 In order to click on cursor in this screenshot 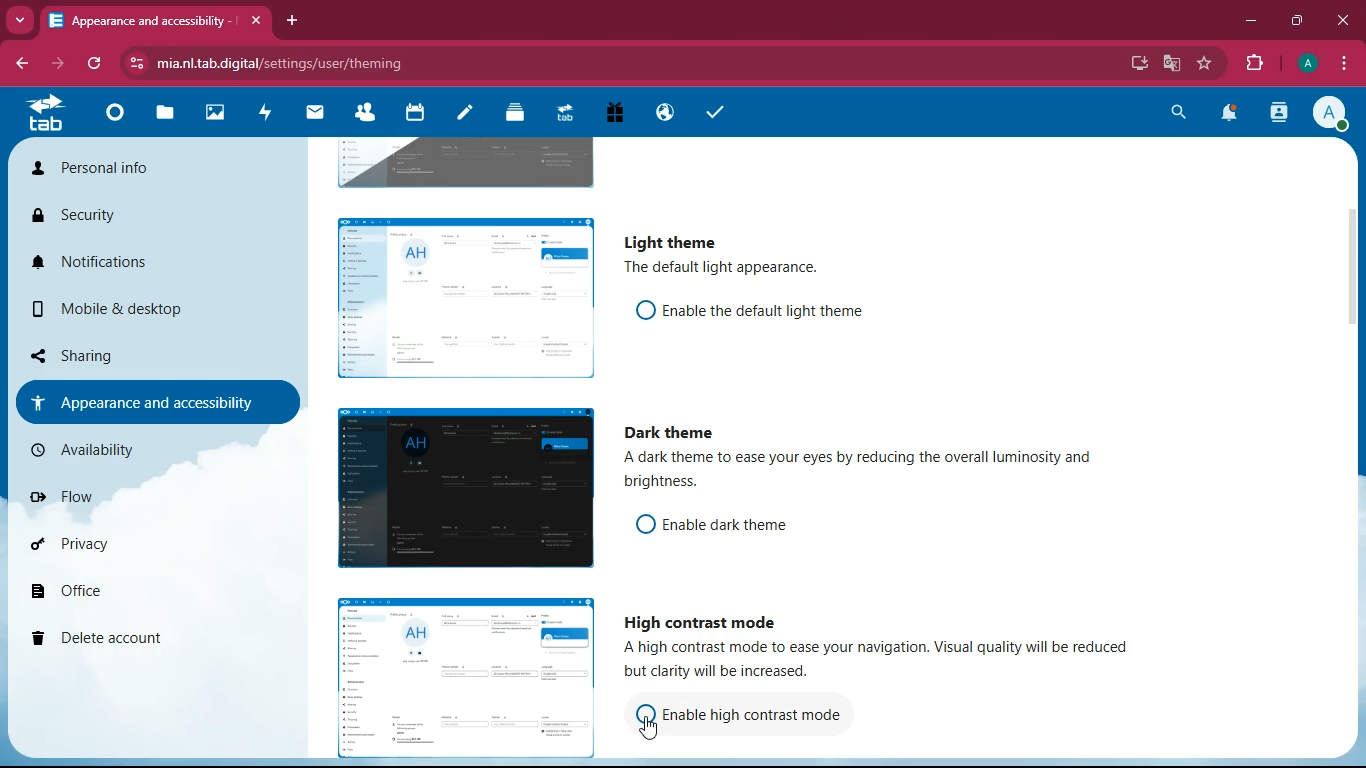, I will do `click(650, 725)`.